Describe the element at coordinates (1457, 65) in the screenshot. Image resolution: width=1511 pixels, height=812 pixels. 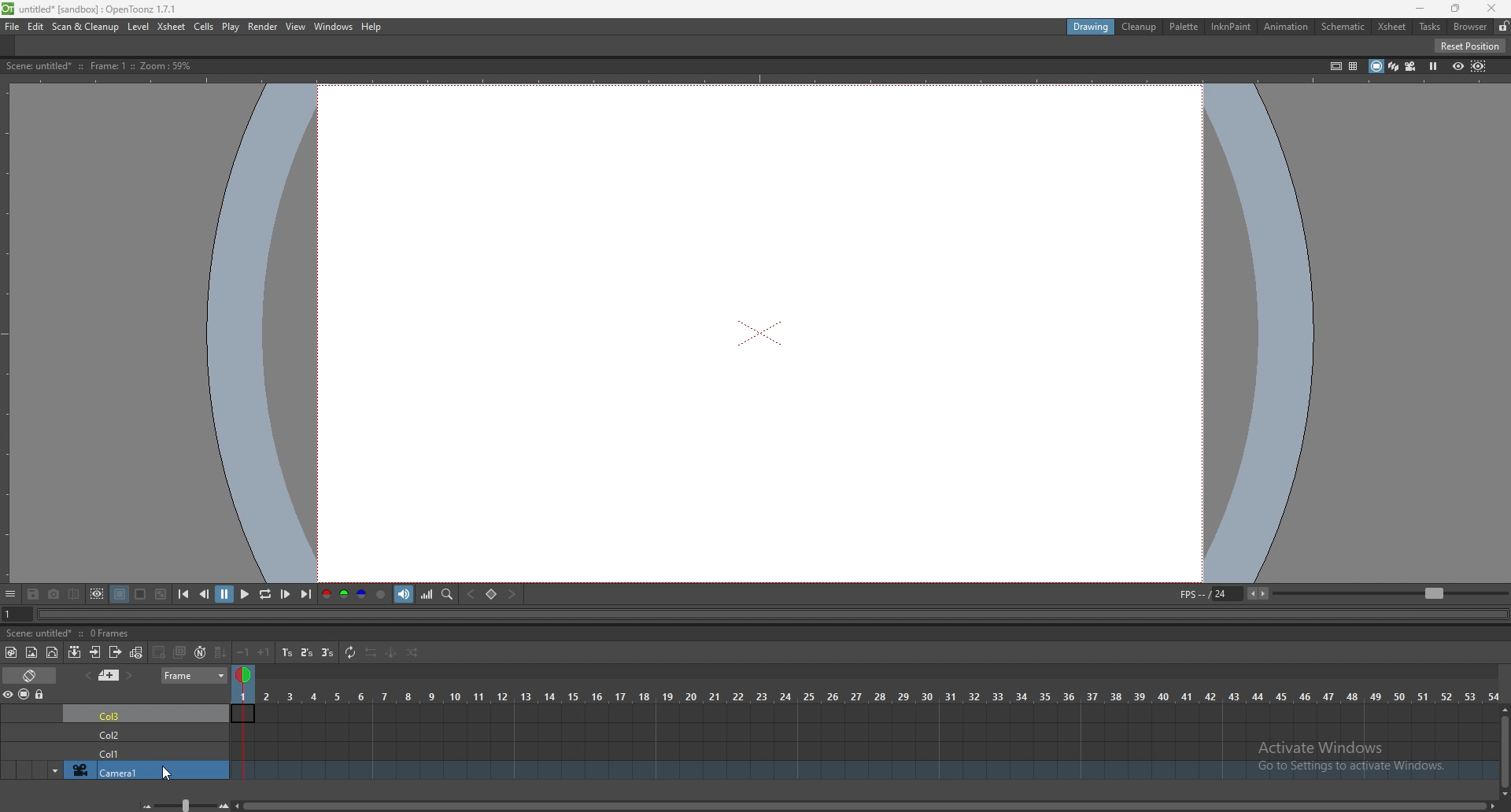
I see `preview` at that location.